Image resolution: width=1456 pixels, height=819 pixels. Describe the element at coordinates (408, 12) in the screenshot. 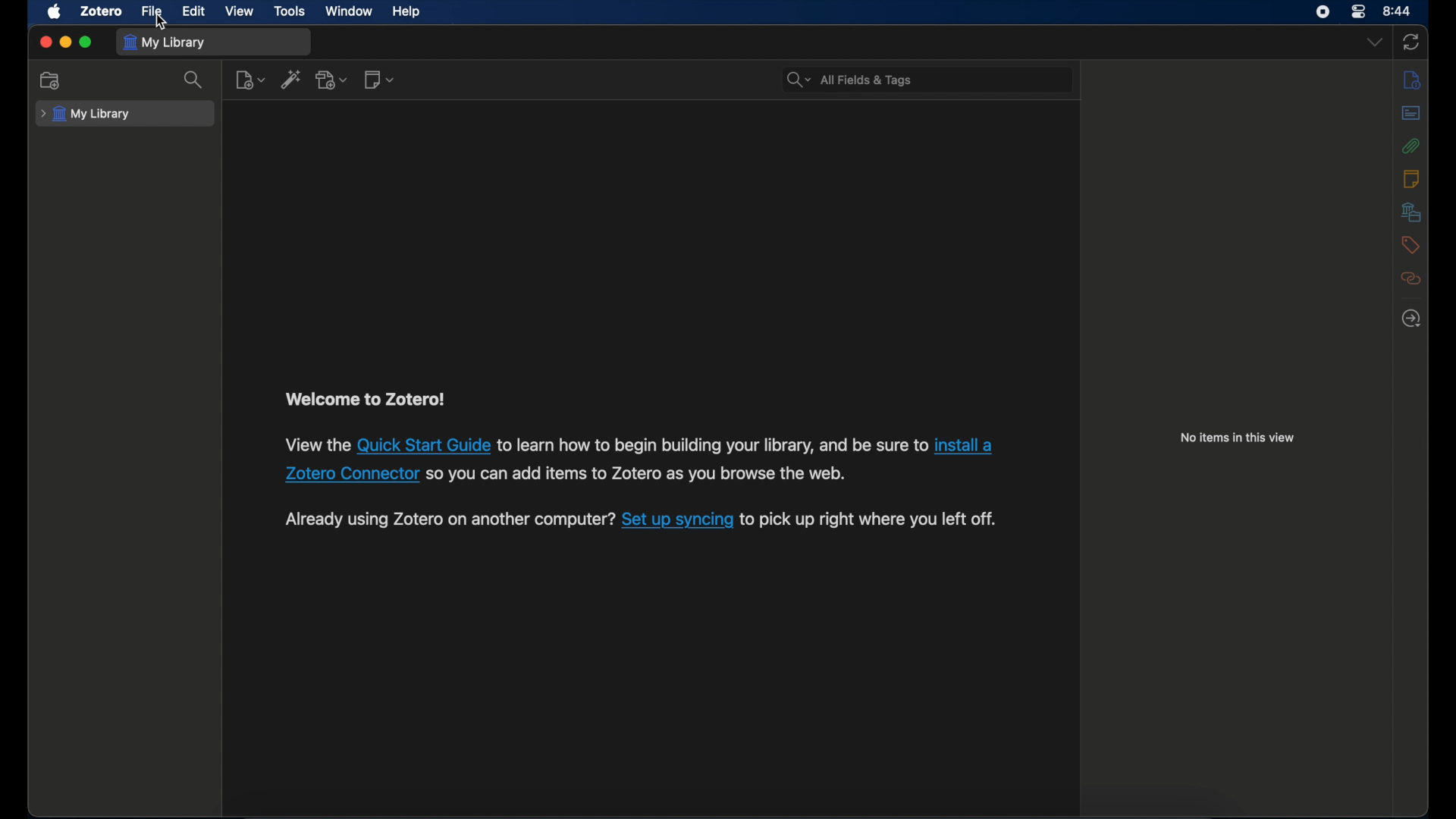

I see `help` at that location.